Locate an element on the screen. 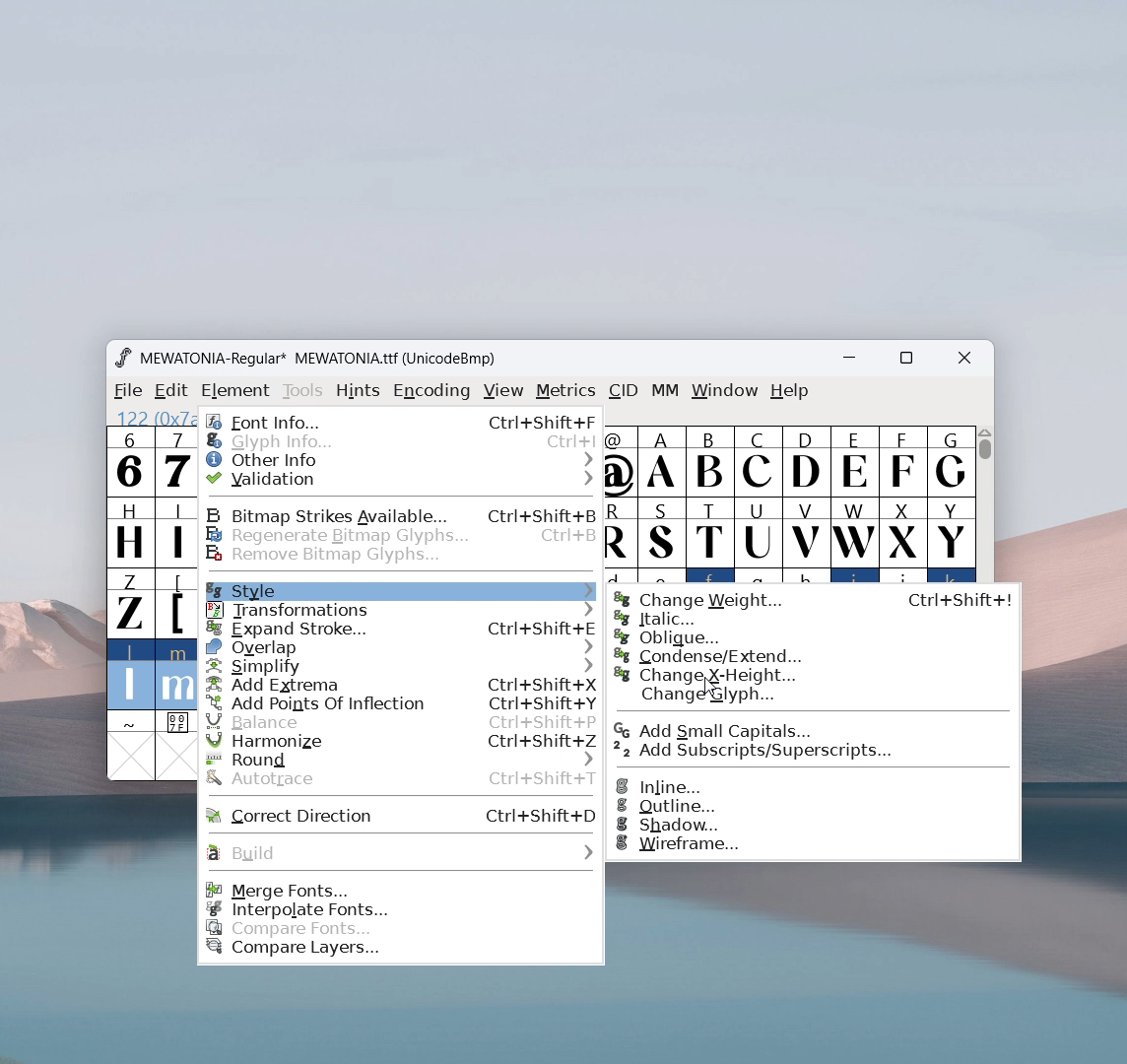 This screenshot has height=1064, width=1127. balance is located at coordinates (400, 721).